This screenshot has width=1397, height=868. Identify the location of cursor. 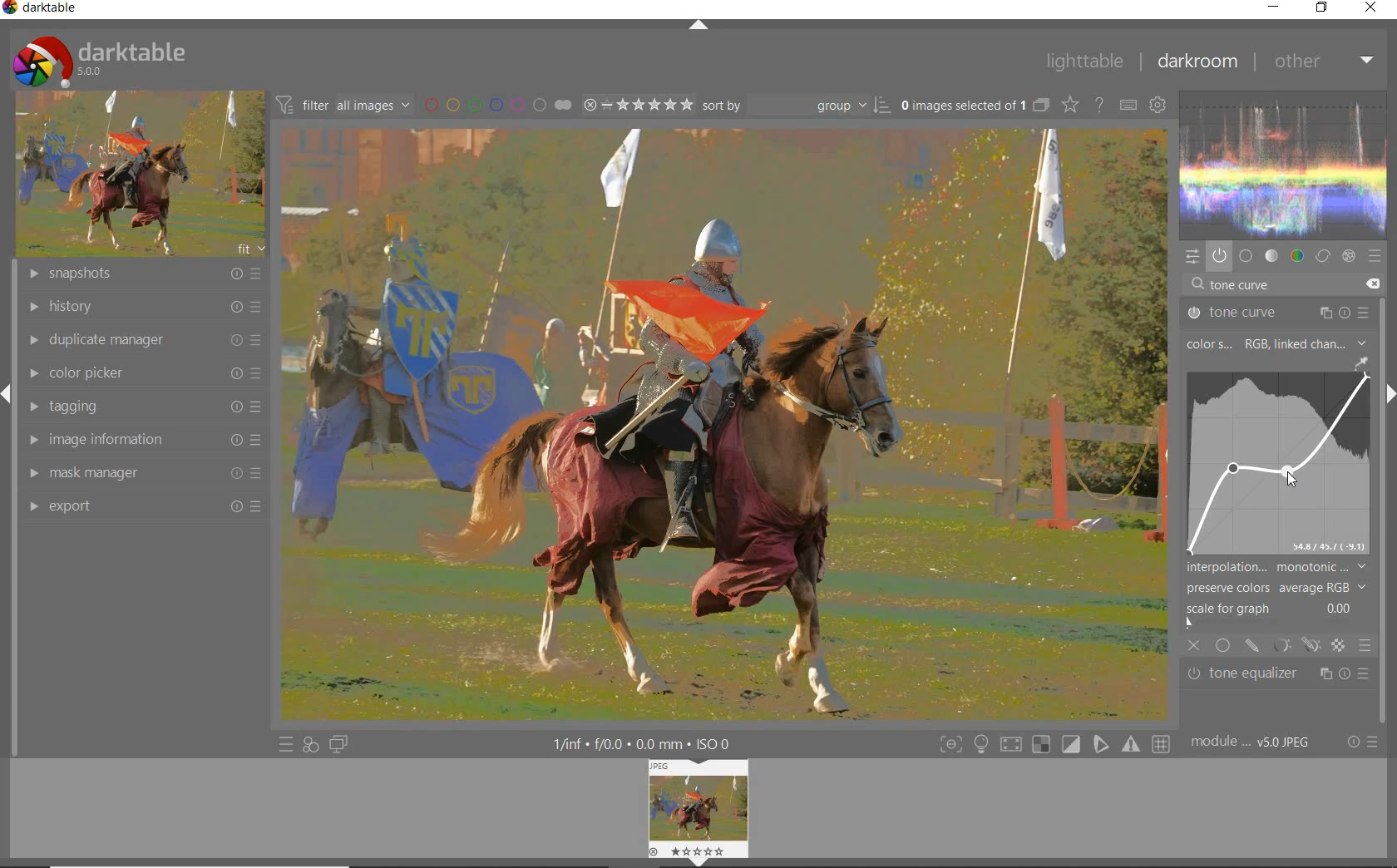
(1288, 478).